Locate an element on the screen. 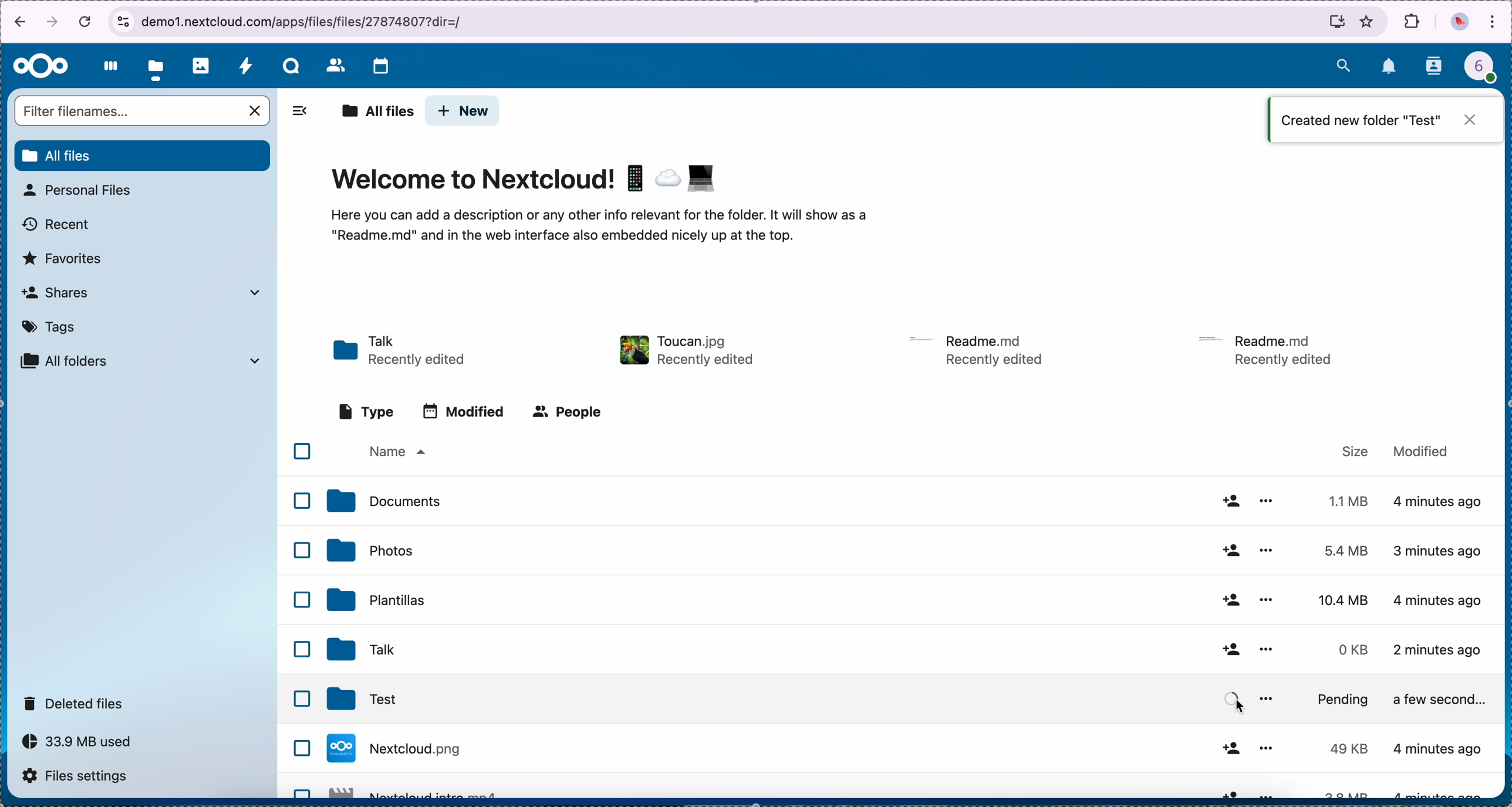 Image resolution: width=1512 pixels, height=807 pixels. search bar is located at coordinates (144, 112).